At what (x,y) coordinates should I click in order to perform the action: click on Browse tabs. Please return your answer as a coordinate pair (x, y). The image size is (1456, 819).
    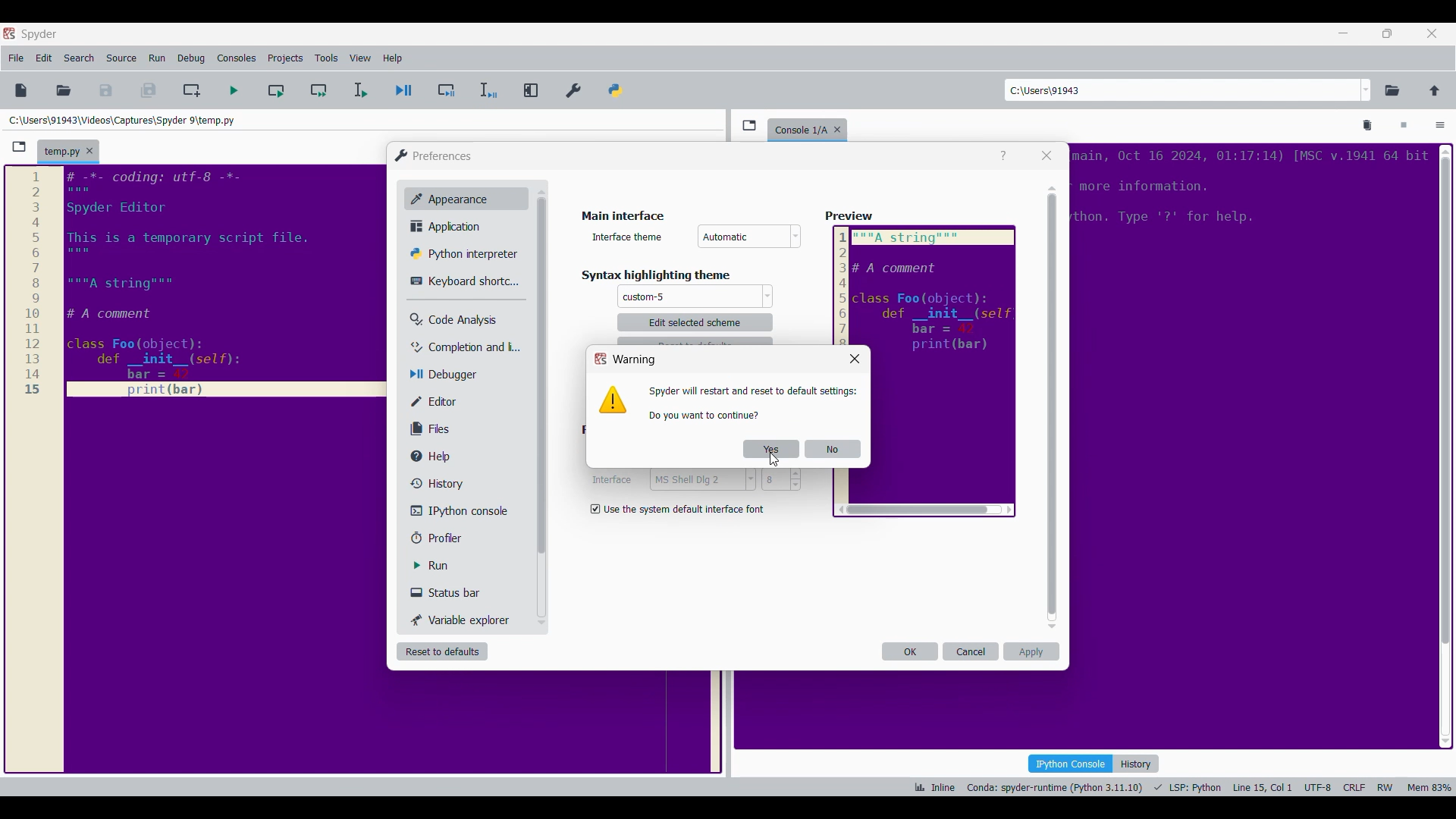
    Looking at the image, I should click on (19, 146).